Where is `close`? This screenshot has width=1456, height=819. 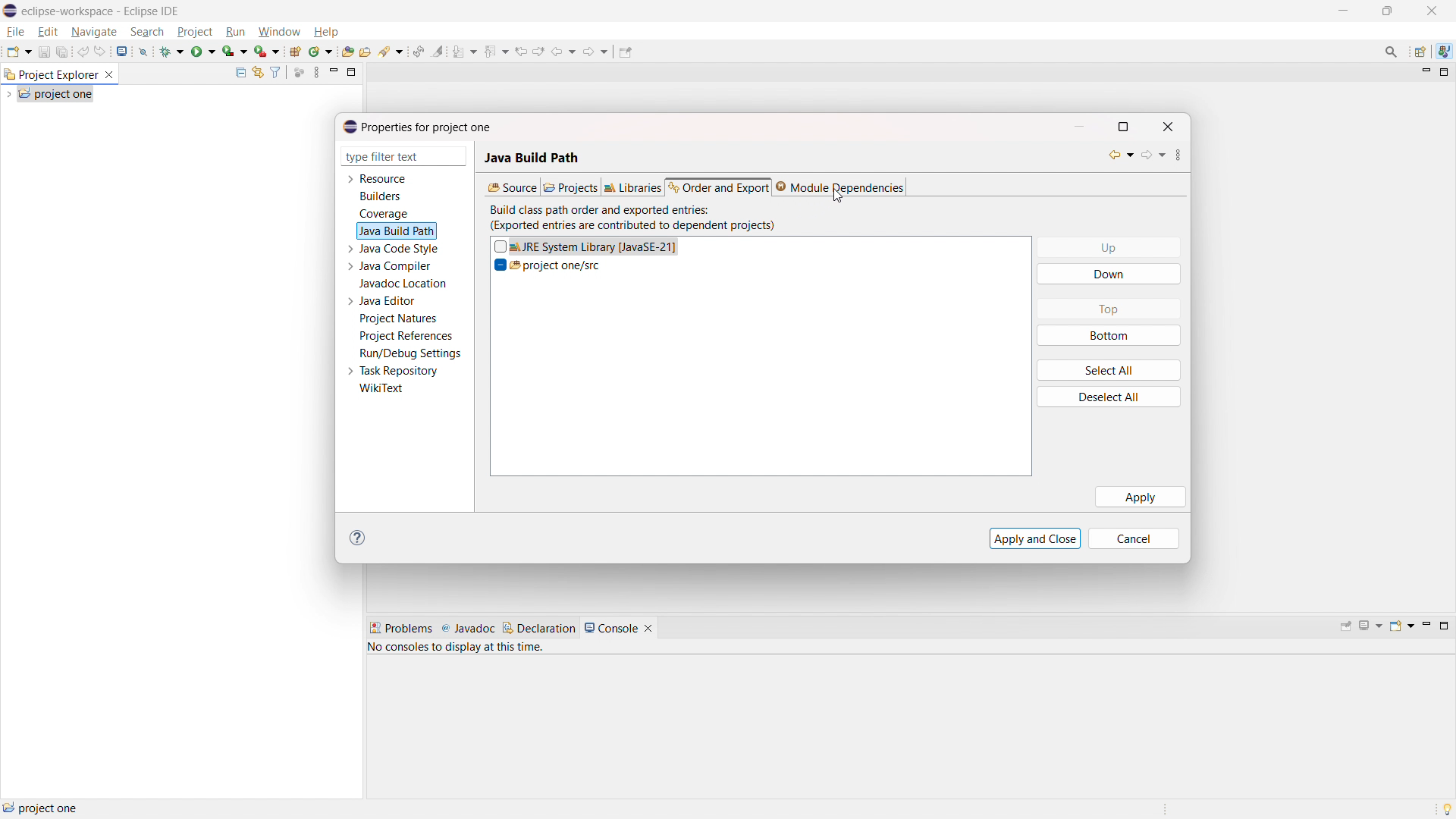 close is located at coordinates (1169, 125).